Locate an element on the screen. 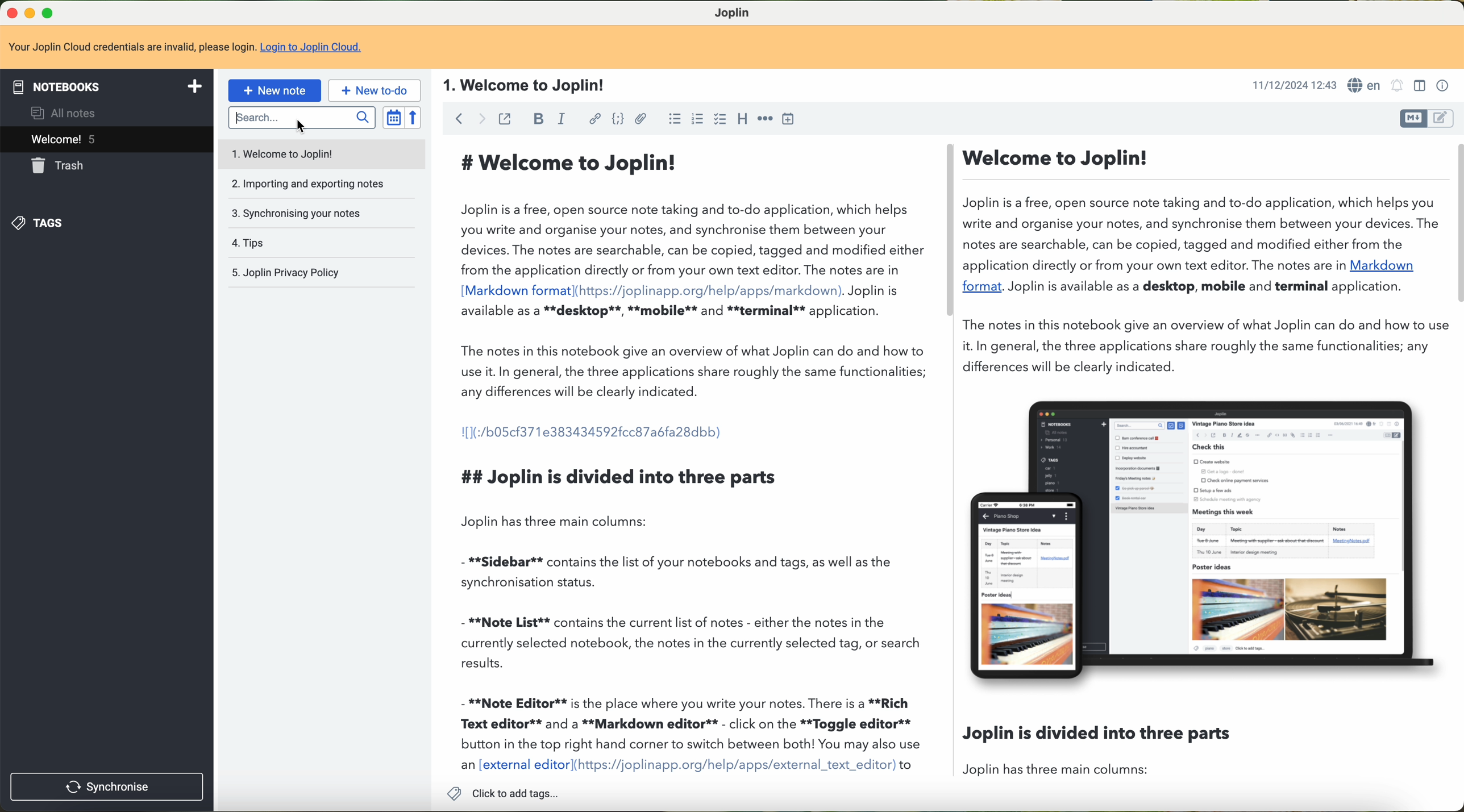 The height and width of the screenshot is (812, 1464). bulleted list is located at coordinates (696, 119).